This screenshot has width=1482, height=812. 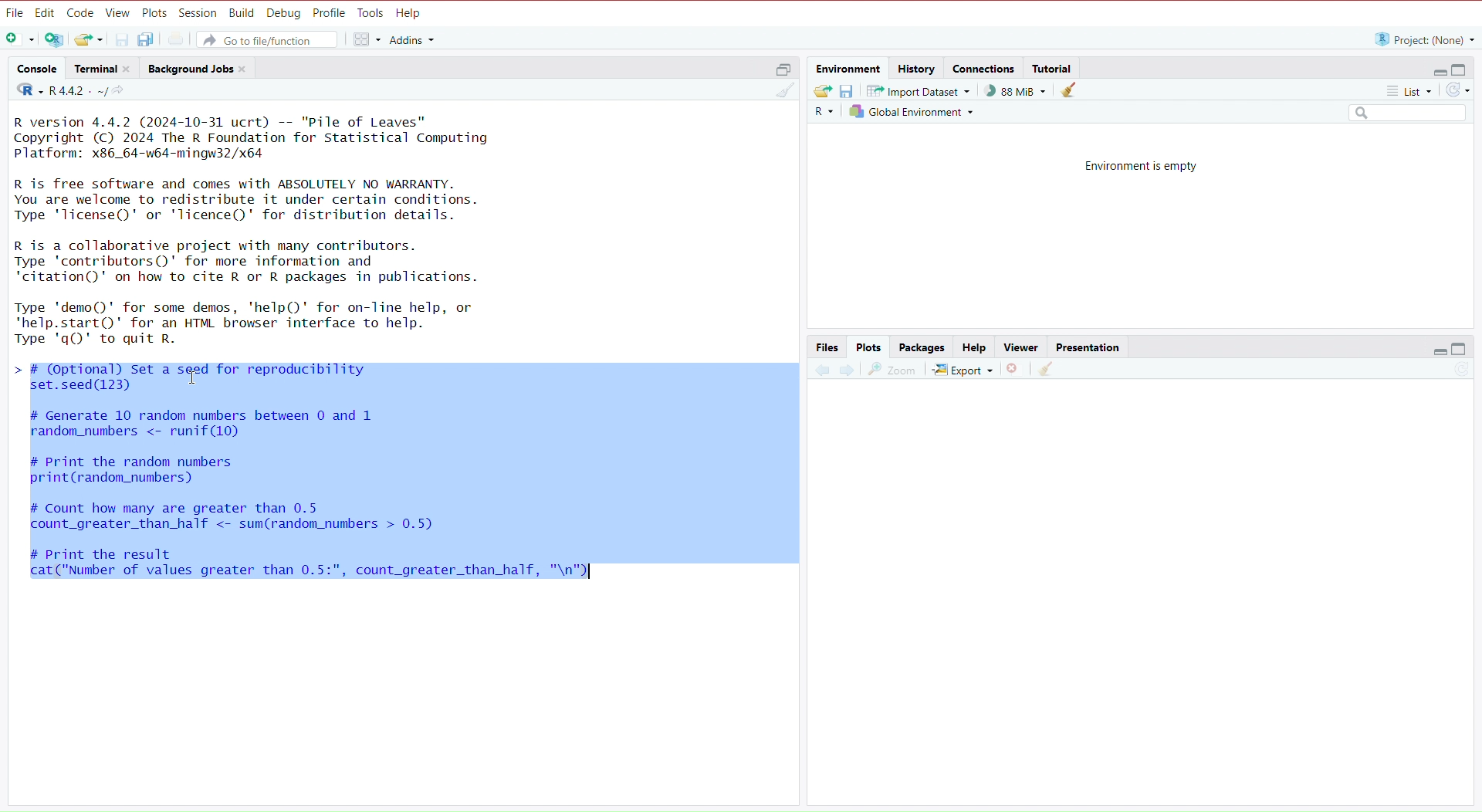 What do you see at coordinates (373, 12) in the screenshot?
I see `Tools` at bounding box center [373, 12].